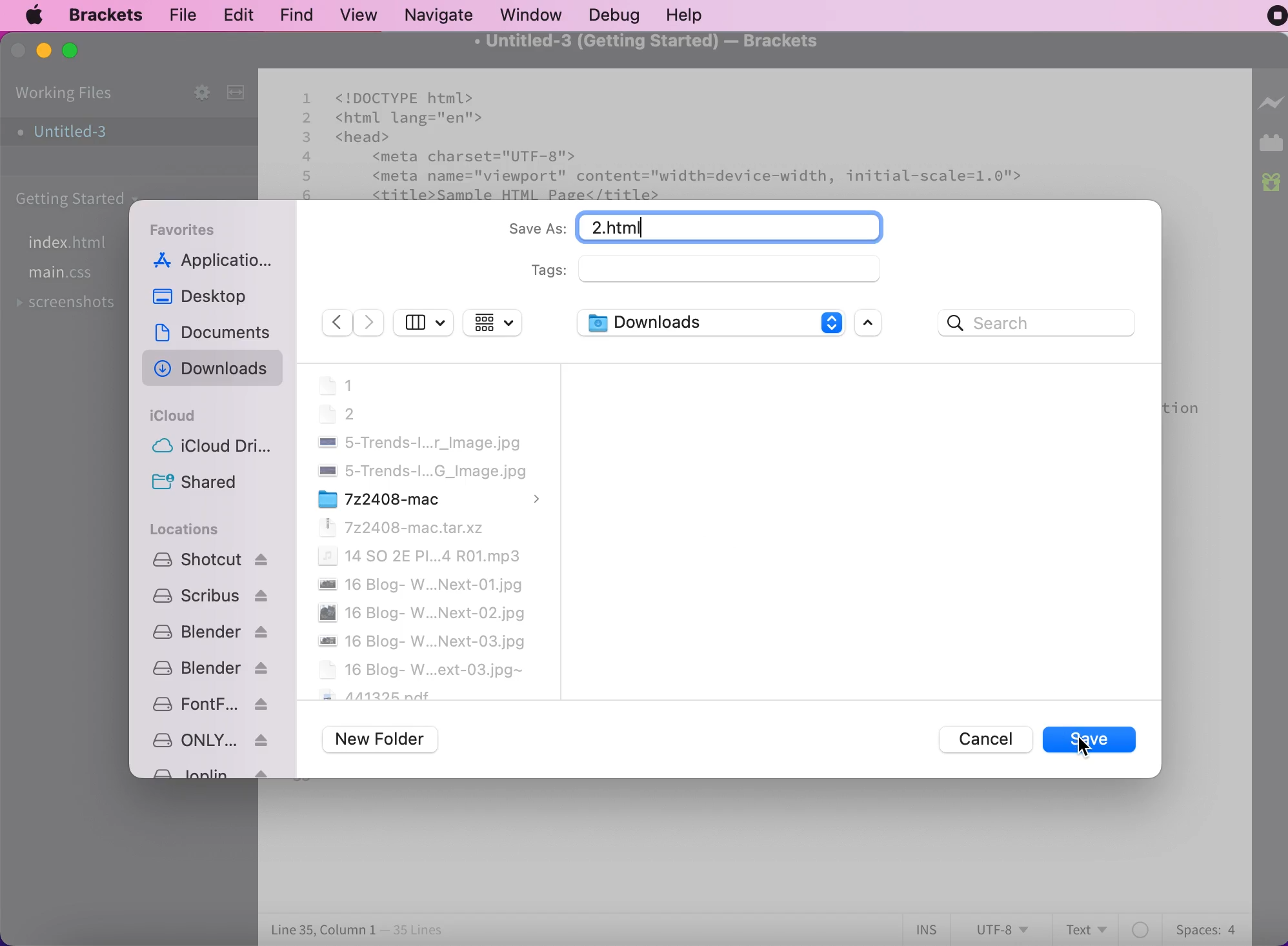 The width and height of the screenshot is (1288, 946). Describe the element at coordinates (716, 277) in the screenshot. I see `tags:` at that location.